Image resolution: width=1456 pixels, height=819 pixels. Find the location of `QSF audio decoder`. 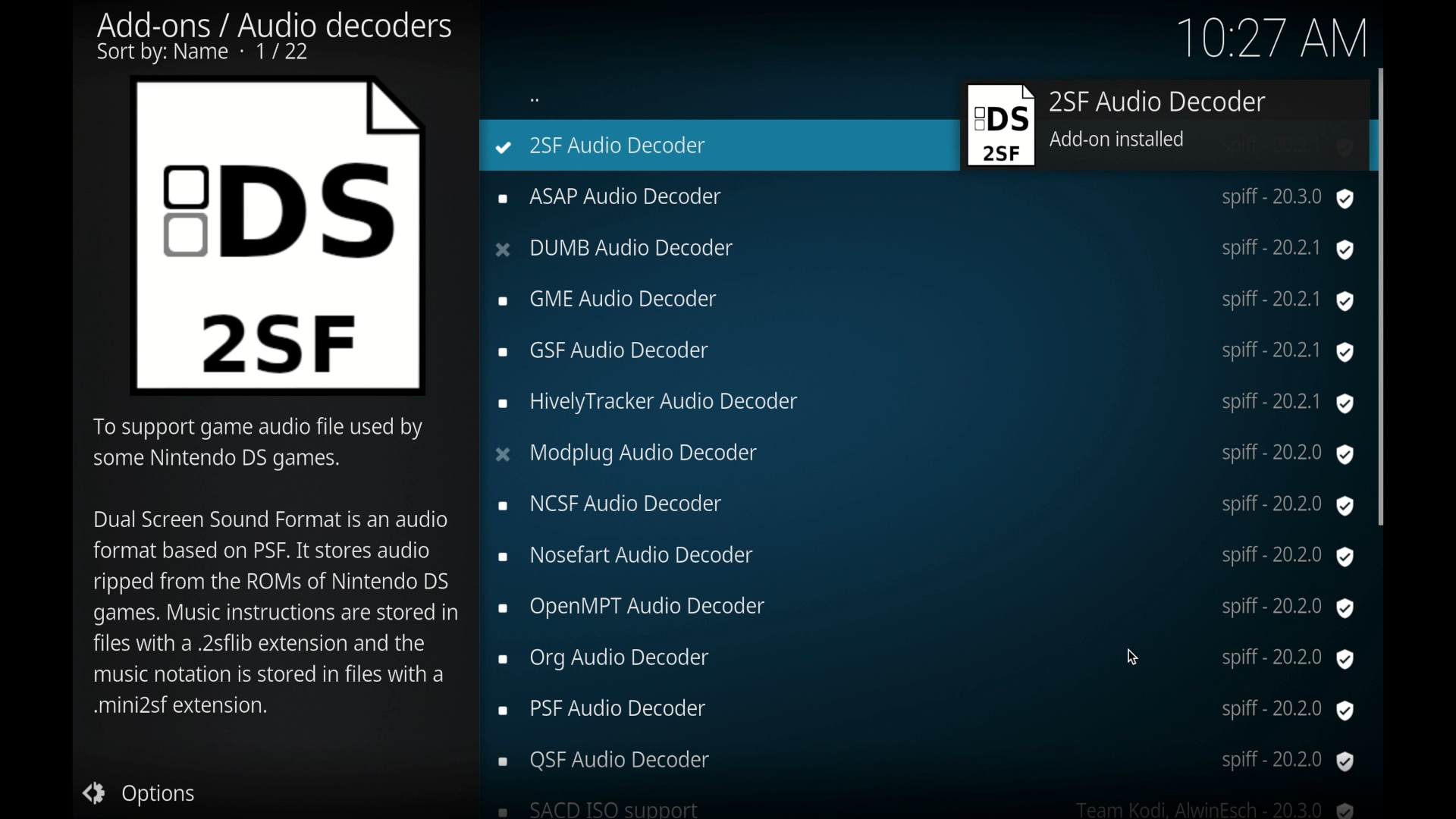

QSF audio decoder is located at coordinates (927, 760).